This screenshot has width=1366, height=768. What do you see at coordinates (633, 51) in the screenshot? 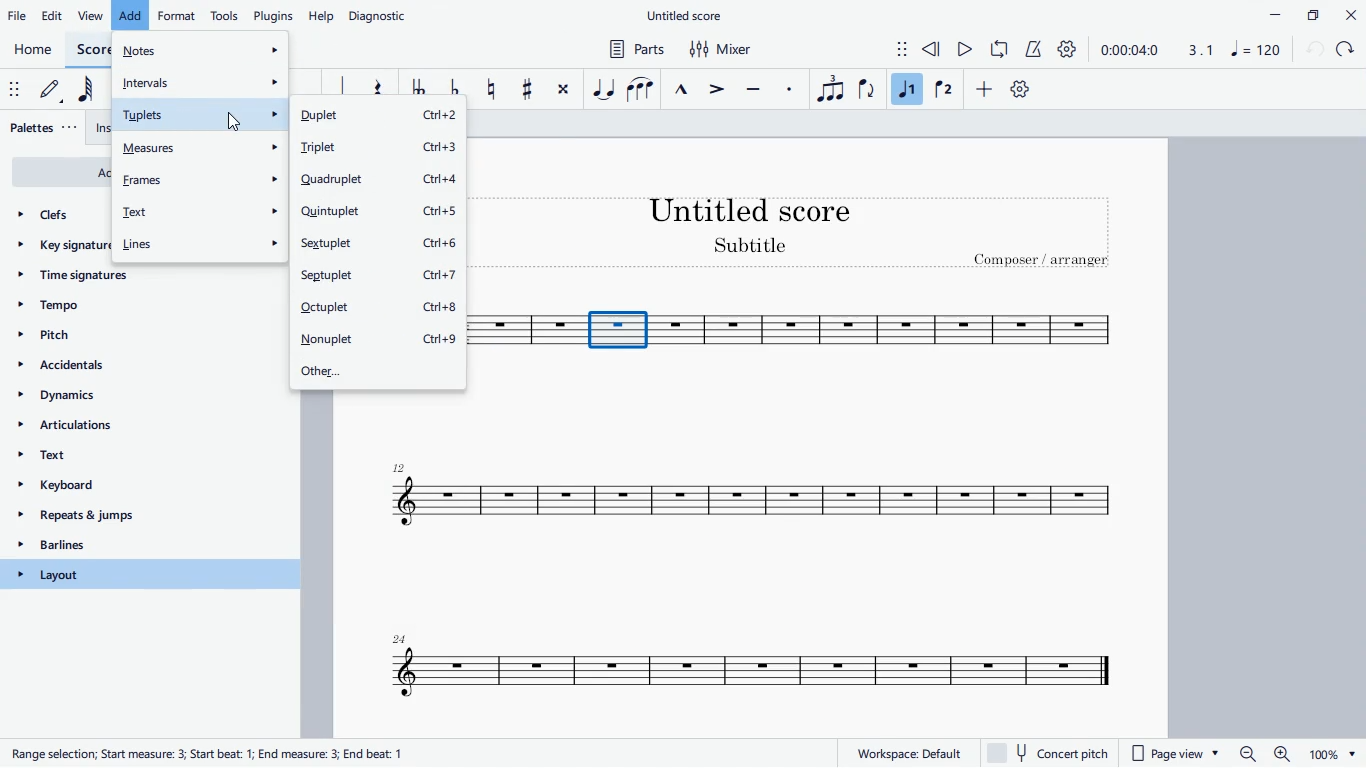
I see `parts` at bounding box center [633, 51].